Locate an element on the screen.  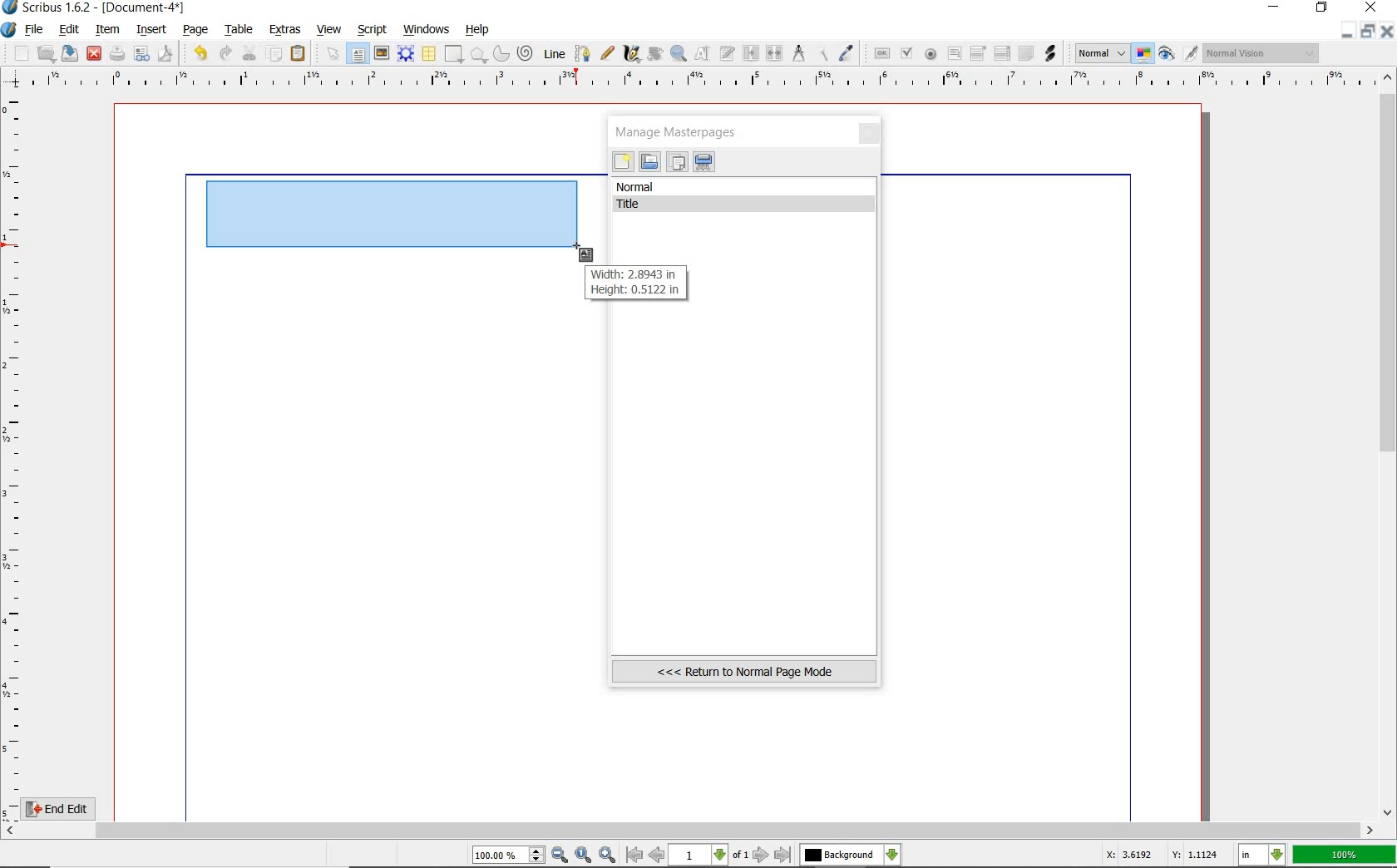
drawing text frame is located at coordinates (398, 218).